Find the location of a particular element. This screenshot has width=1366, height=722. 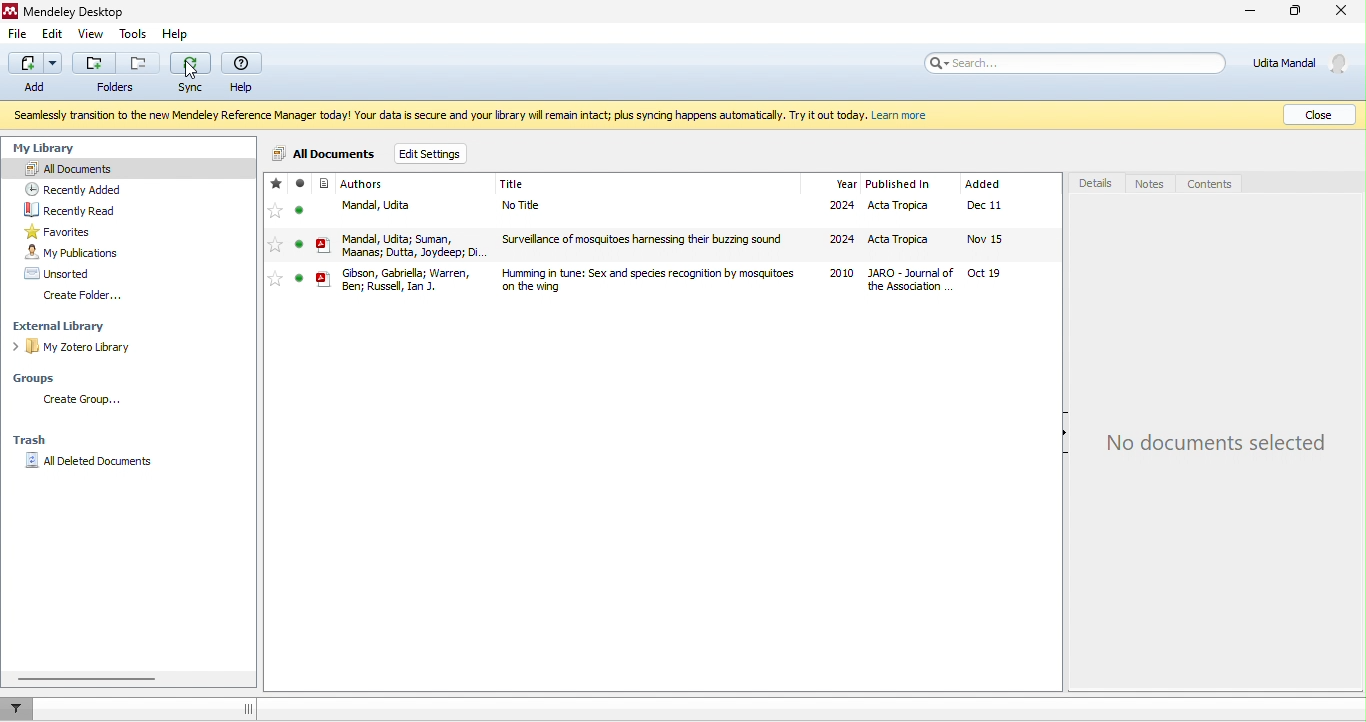

stared is located at coordinates (277, 183).